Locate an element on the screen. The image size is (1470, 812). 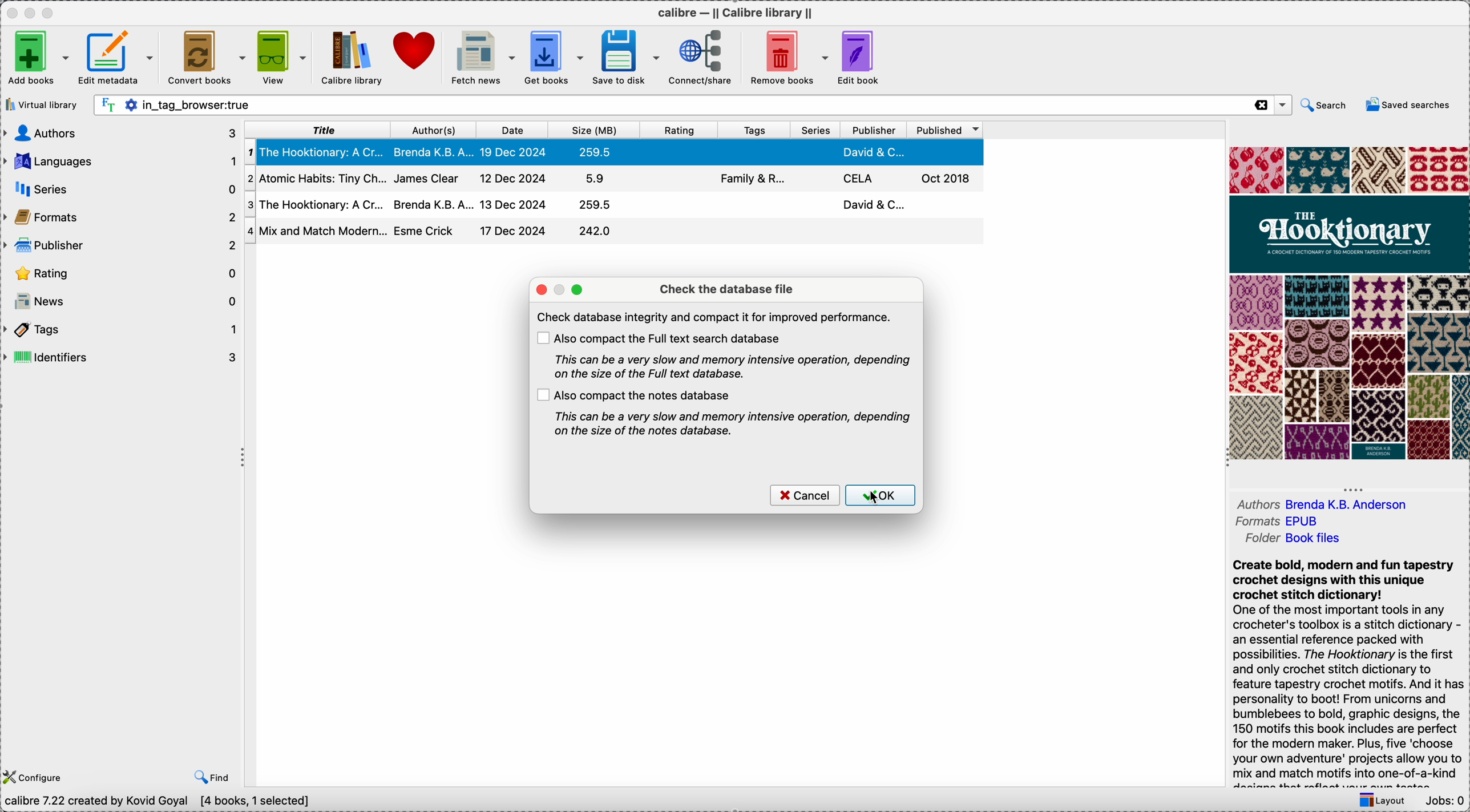
authors is located at coordinates (1321, 503).